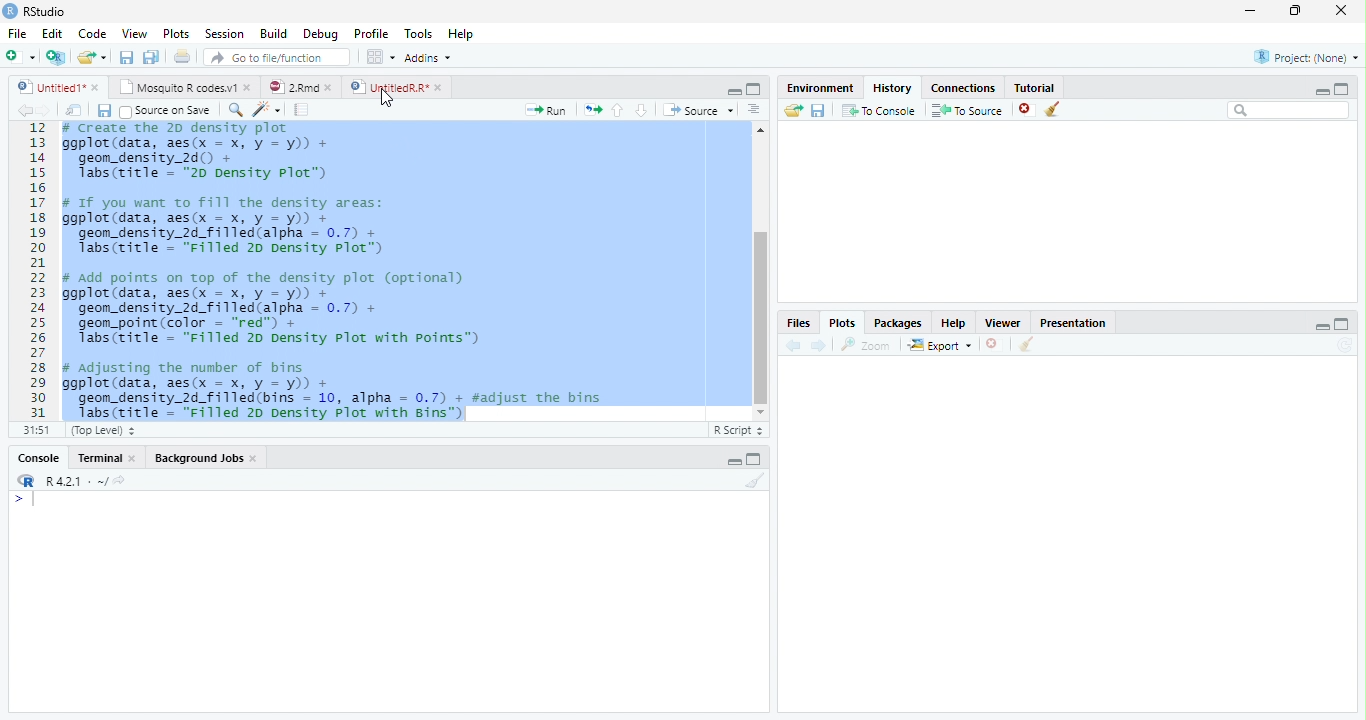  What do you see at coordinates (163, 111) in the screenshot?
I see `Source on Save` at bounding box center [163, 111].